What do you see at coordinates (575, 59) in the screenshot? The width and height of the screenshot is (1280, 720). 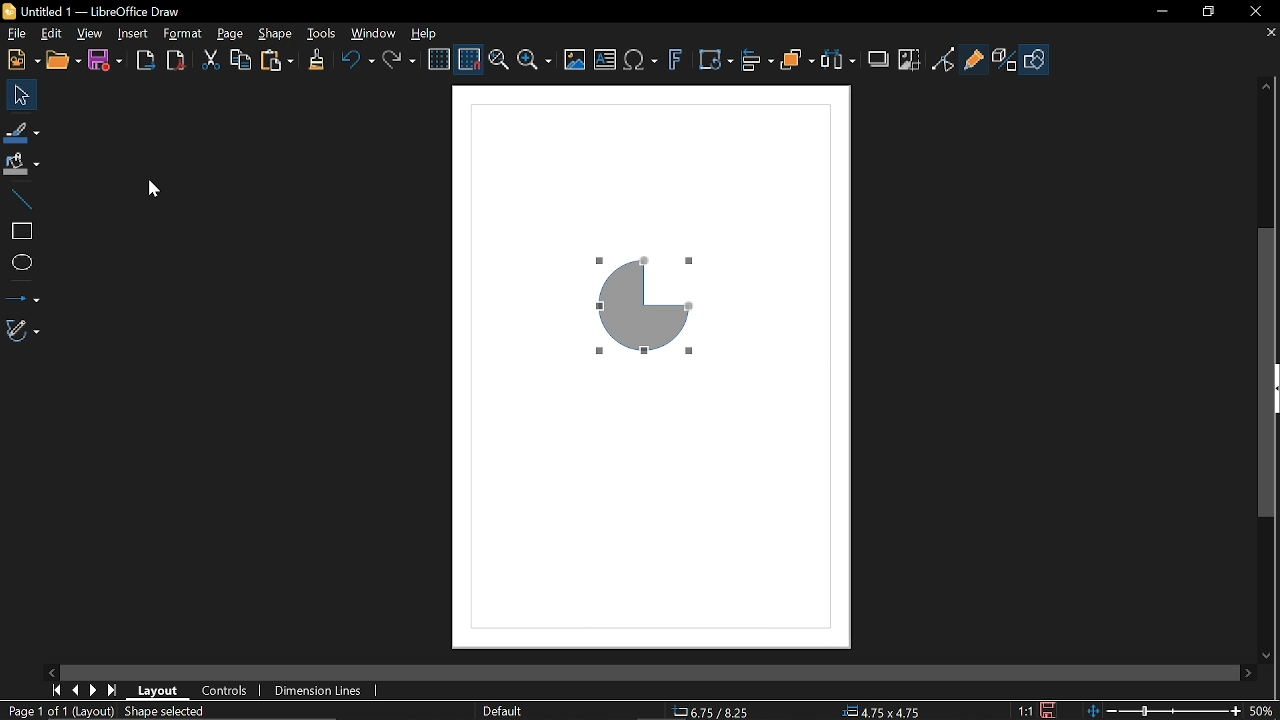 I see `Insert image` at bounding box center [575, 59].